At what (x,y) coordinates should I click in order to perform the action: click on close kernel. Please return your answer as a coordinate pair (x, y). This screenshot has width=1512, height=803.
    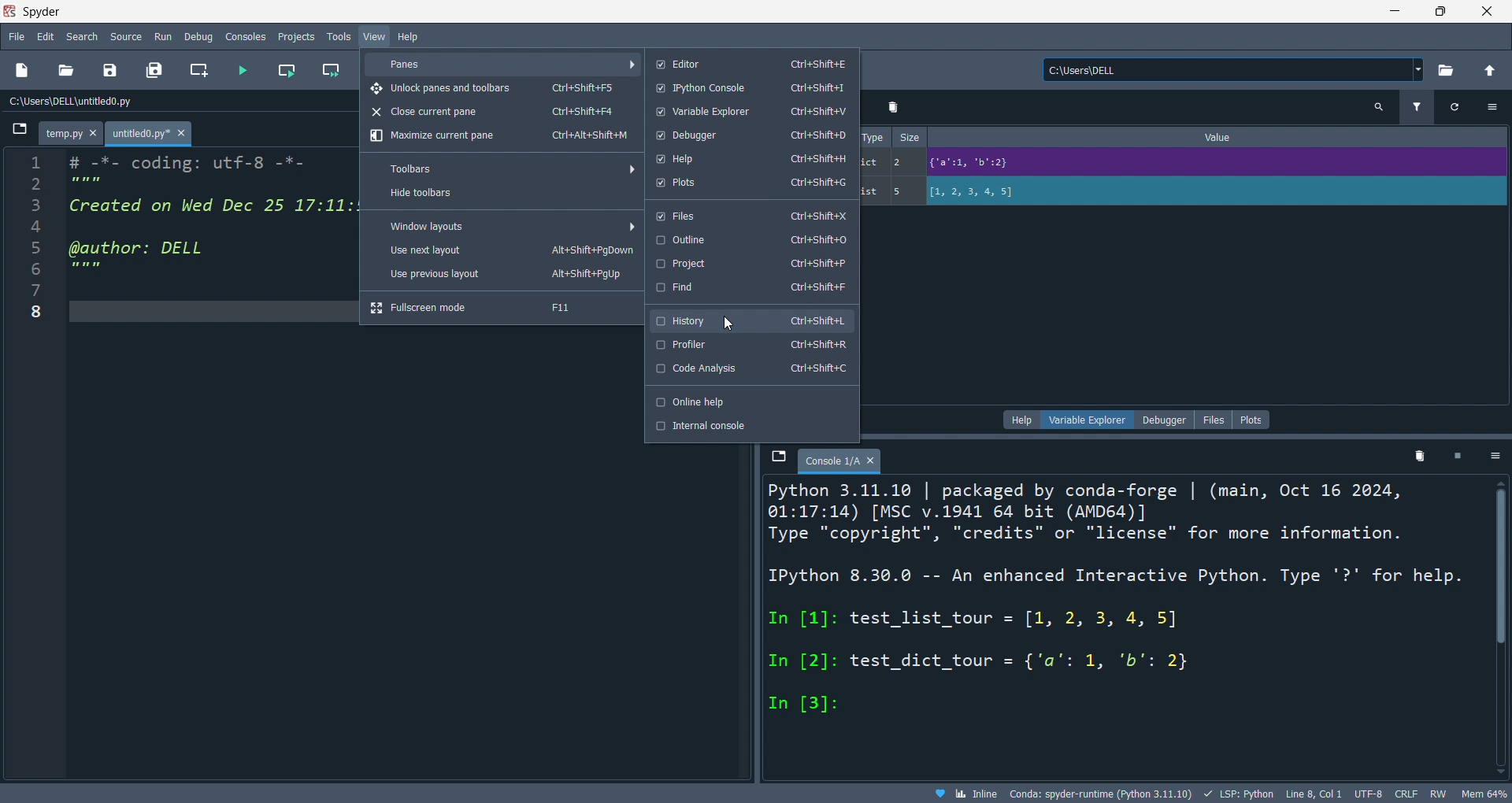
    Looking at the image, I should click on (1459, 458).